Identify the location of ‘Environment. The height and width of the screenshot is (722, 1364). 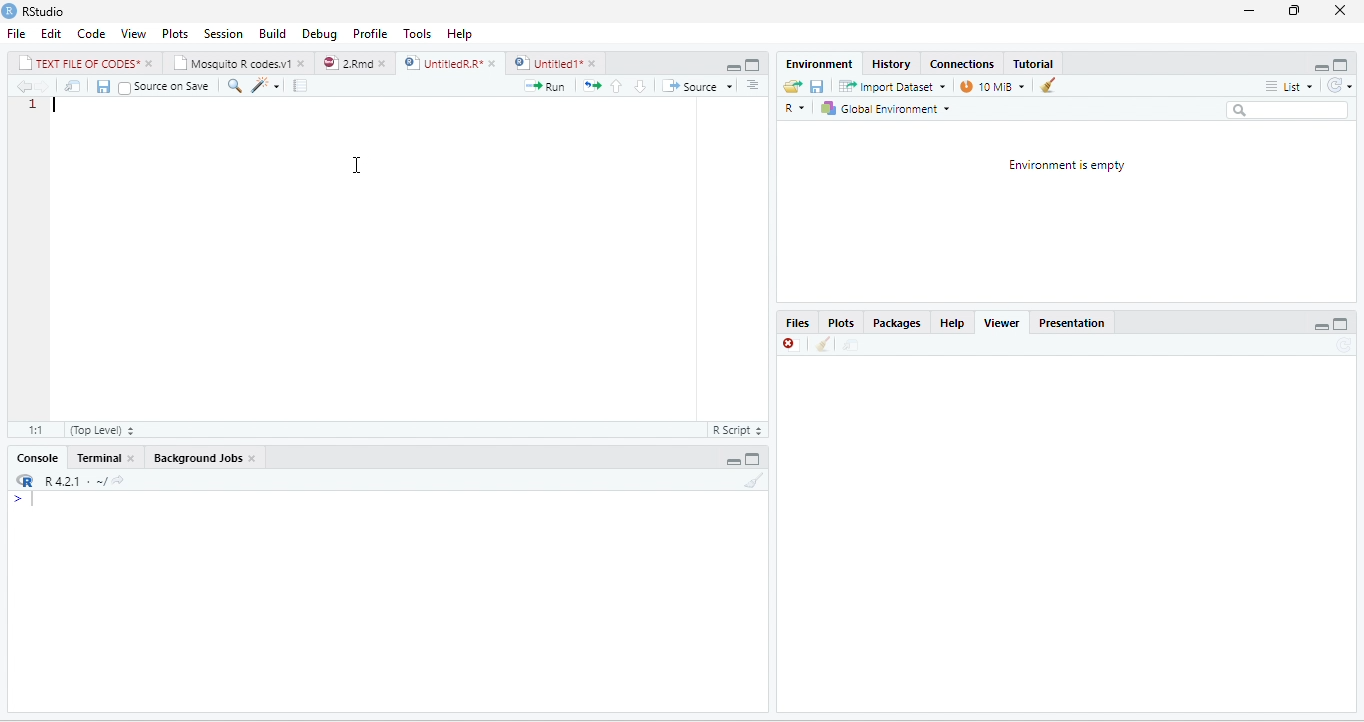
(817, 64).